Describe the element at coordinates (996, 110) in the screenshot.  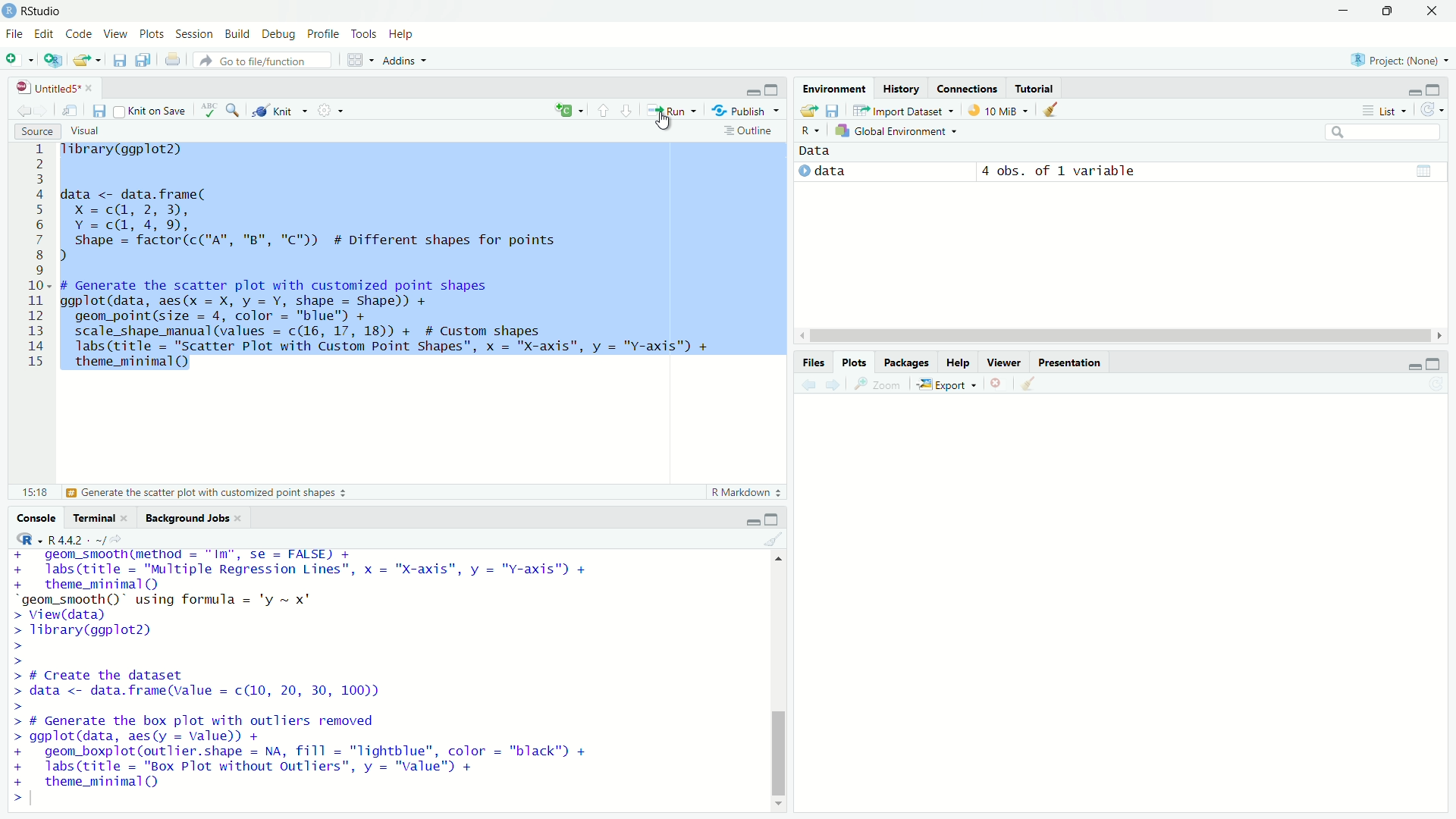
I see `9 MiB` at that location.